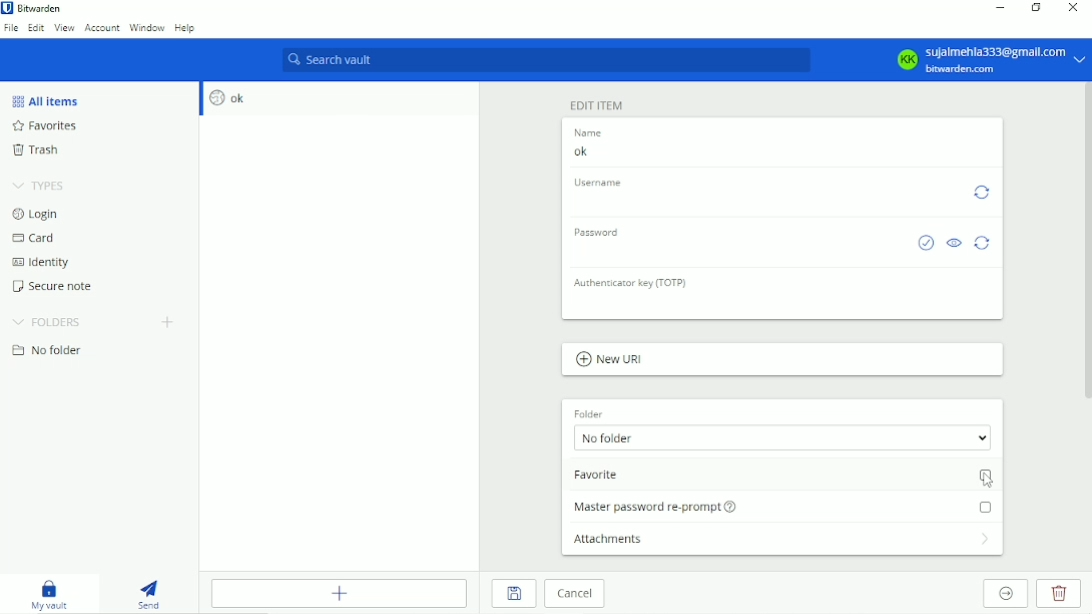  Describe the element at coordinates (338, 593) in the screenshot. I see `Add item` at that location.